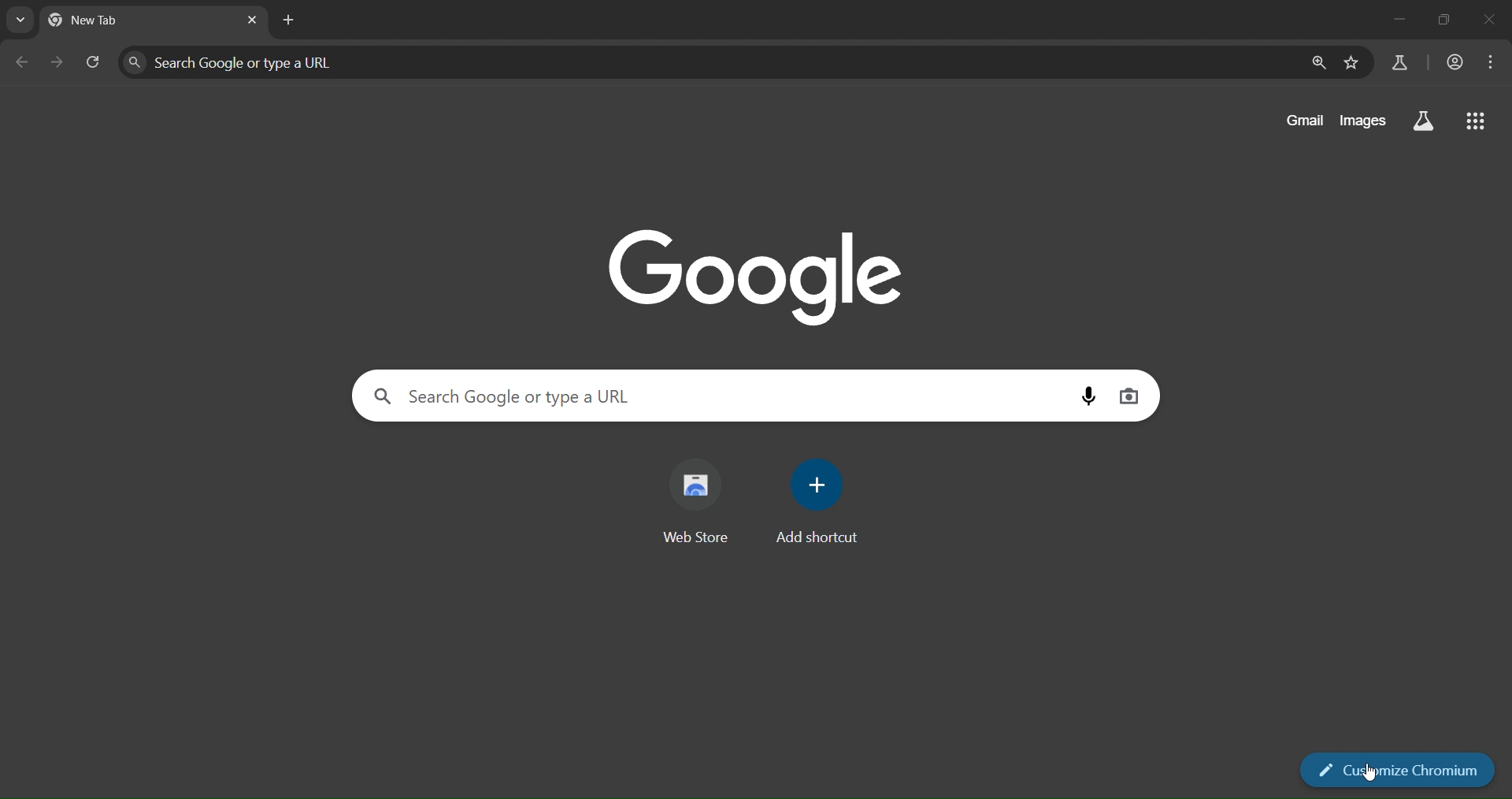 The image size is (1512, 799). What do you see at coordinates (251, 20) in the screenshot?
I see `close tab` at bounding box center [251, 20].